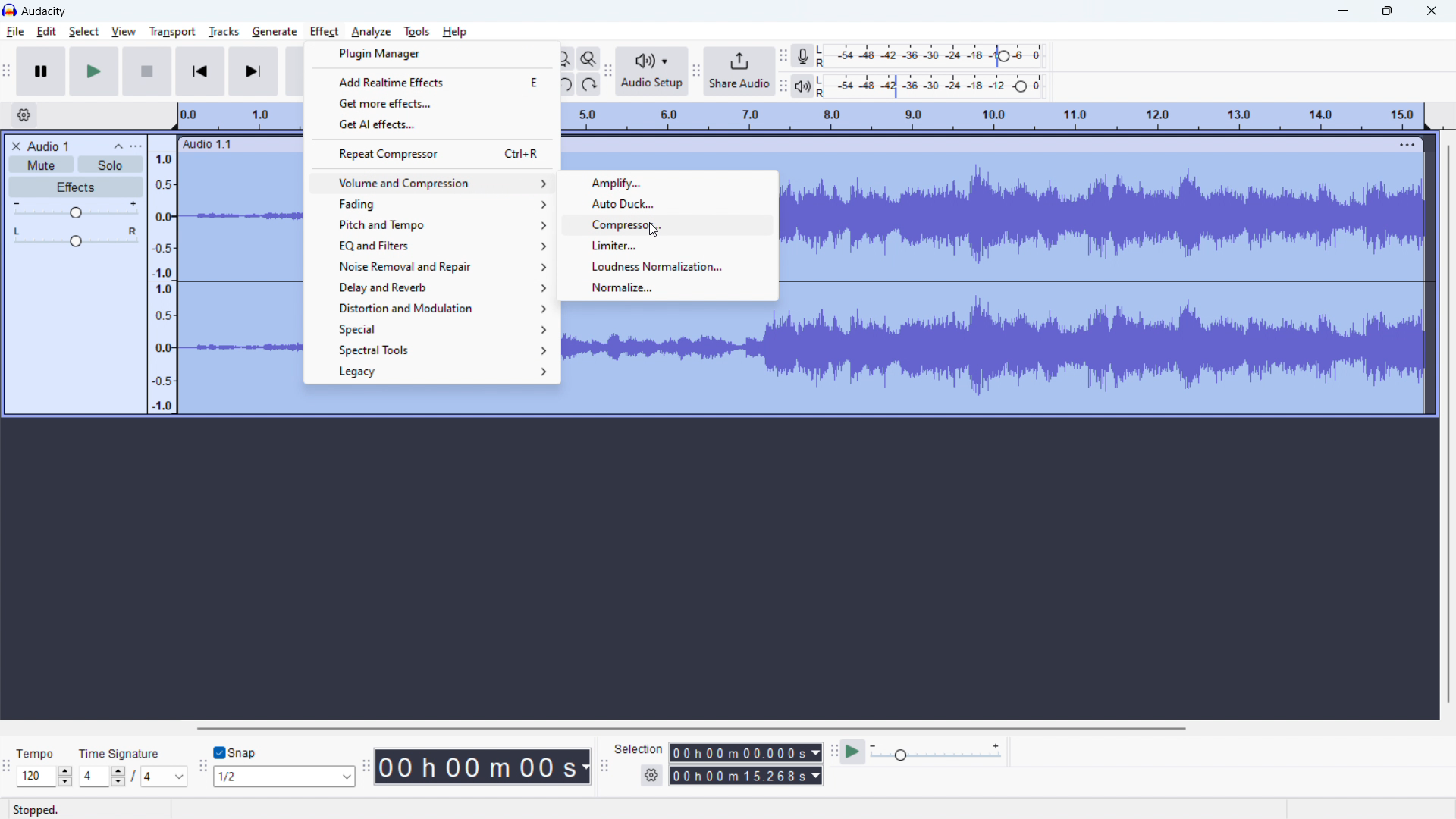 This screenshot has width=1456, height=819. What do you see at coordinates (45, 777) in the screenshot?
I see `120 (select tempo)` at bounding box center [45, 777].